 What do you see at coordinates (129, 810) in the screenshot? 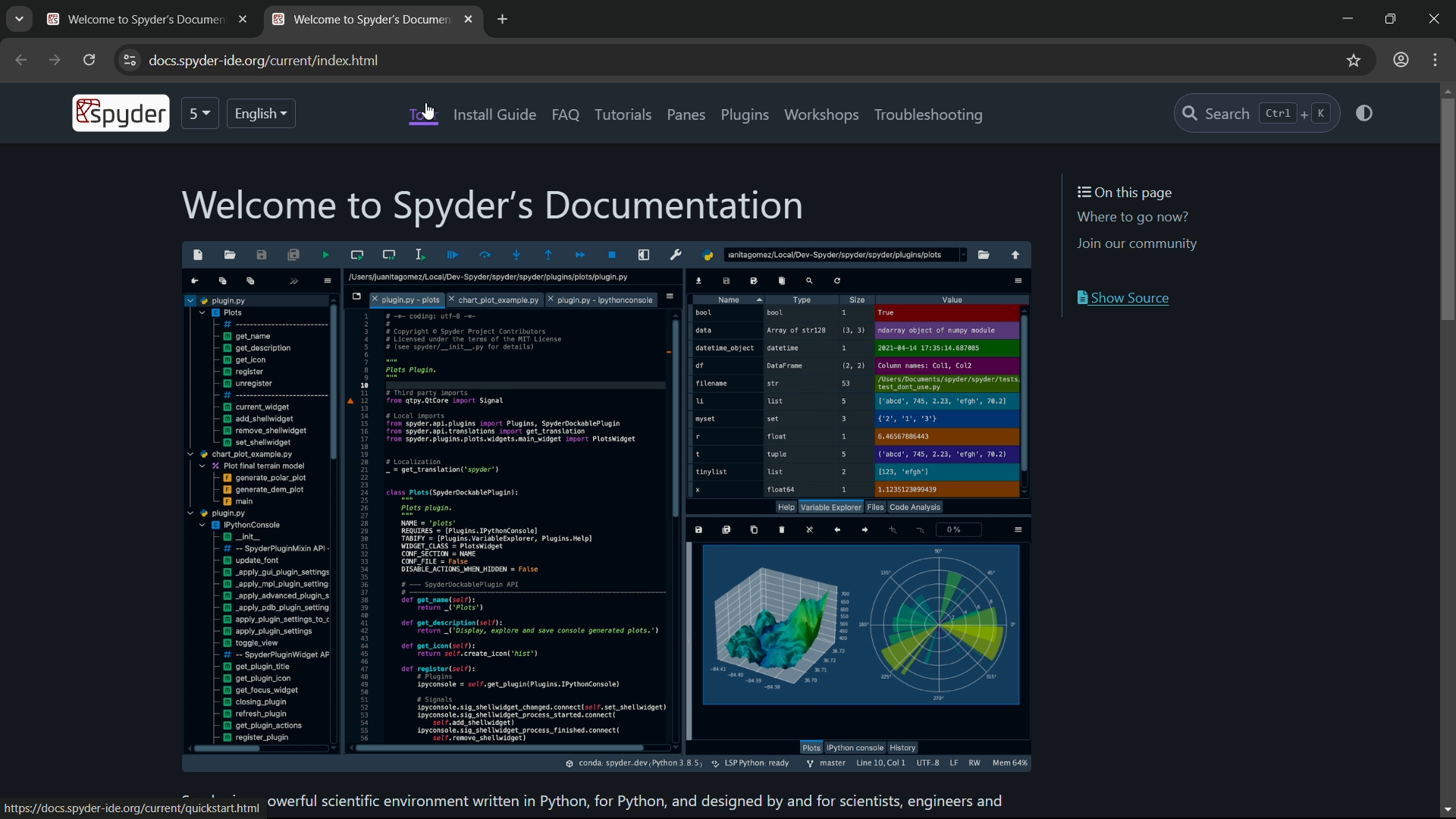
I see `https://docs.spyder-ide.org/current/quickstart.html` at bounding box center [129, 810].